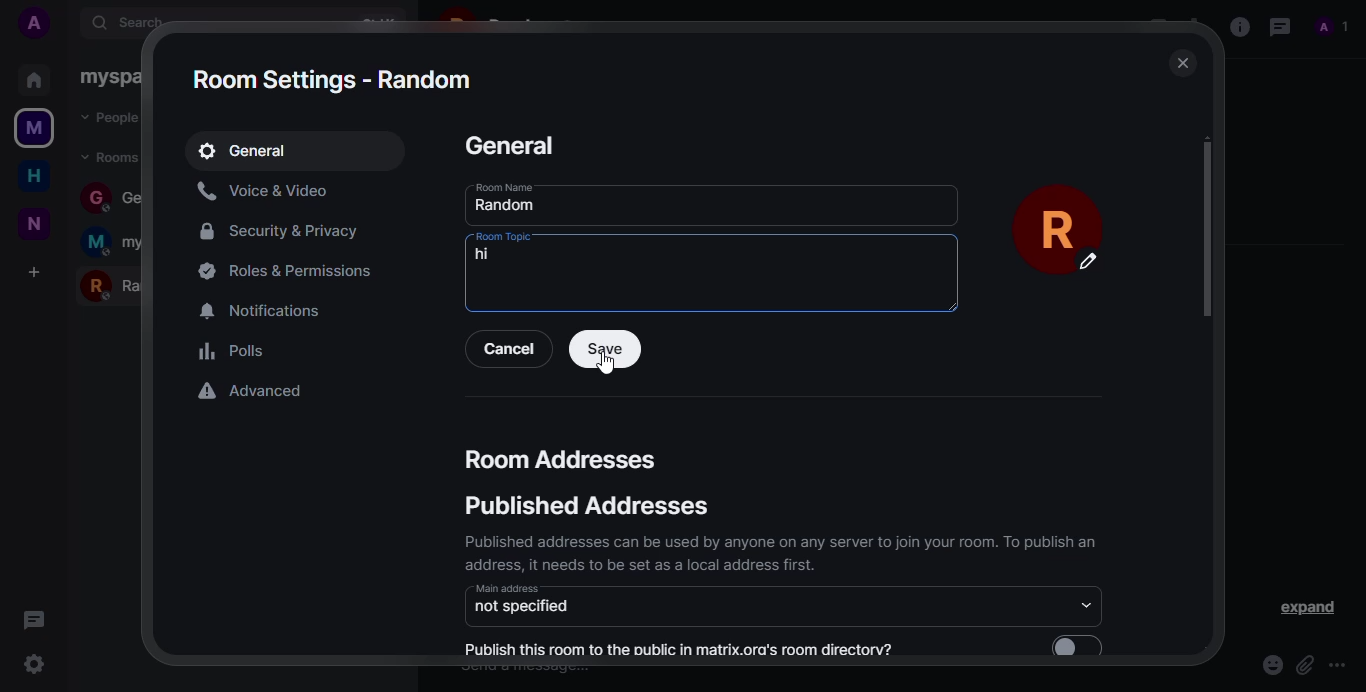  I want to click on polls, so click(231, 351).